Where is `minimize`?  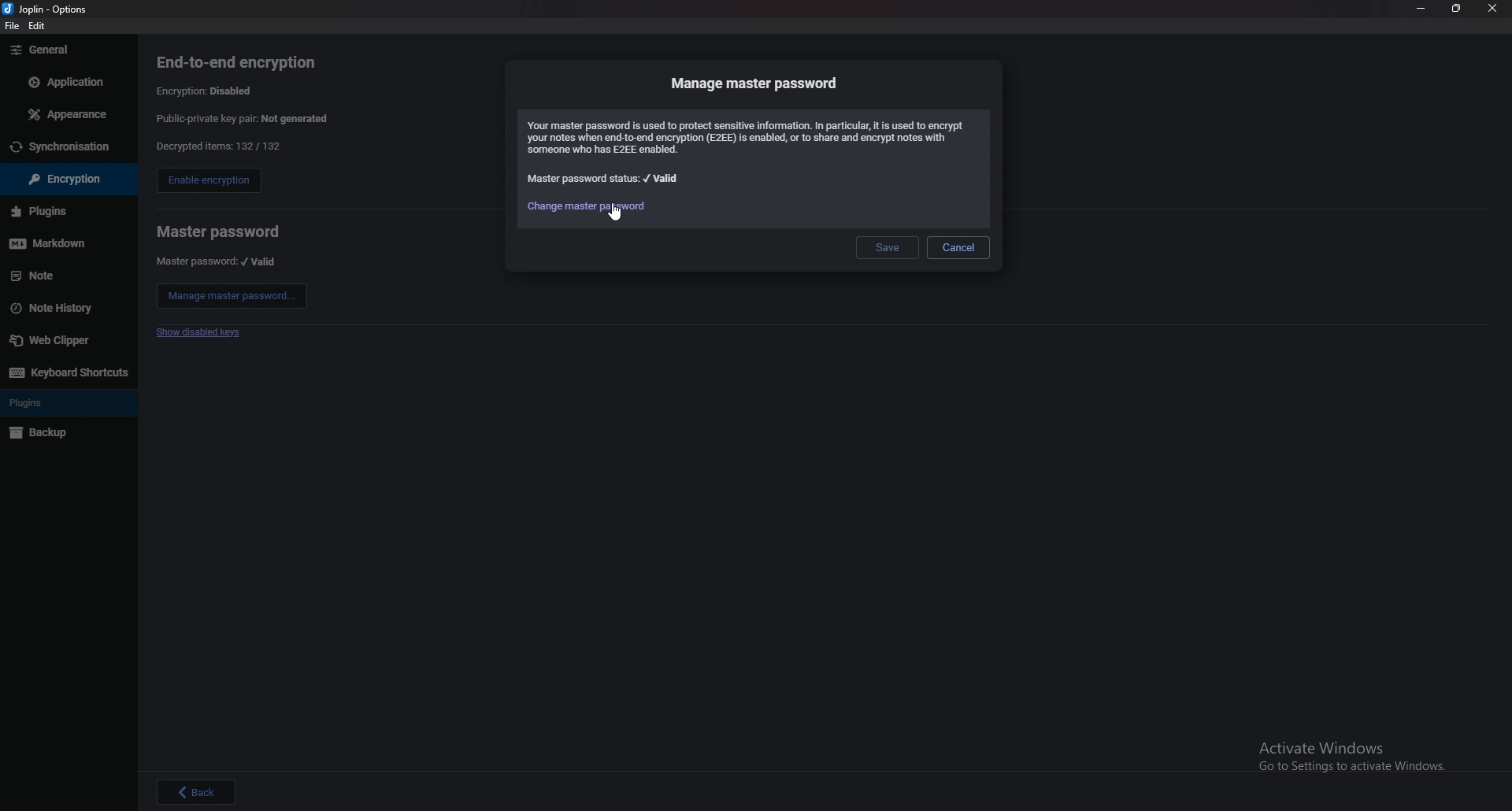 minimize is located at coordinates (1421, 9).